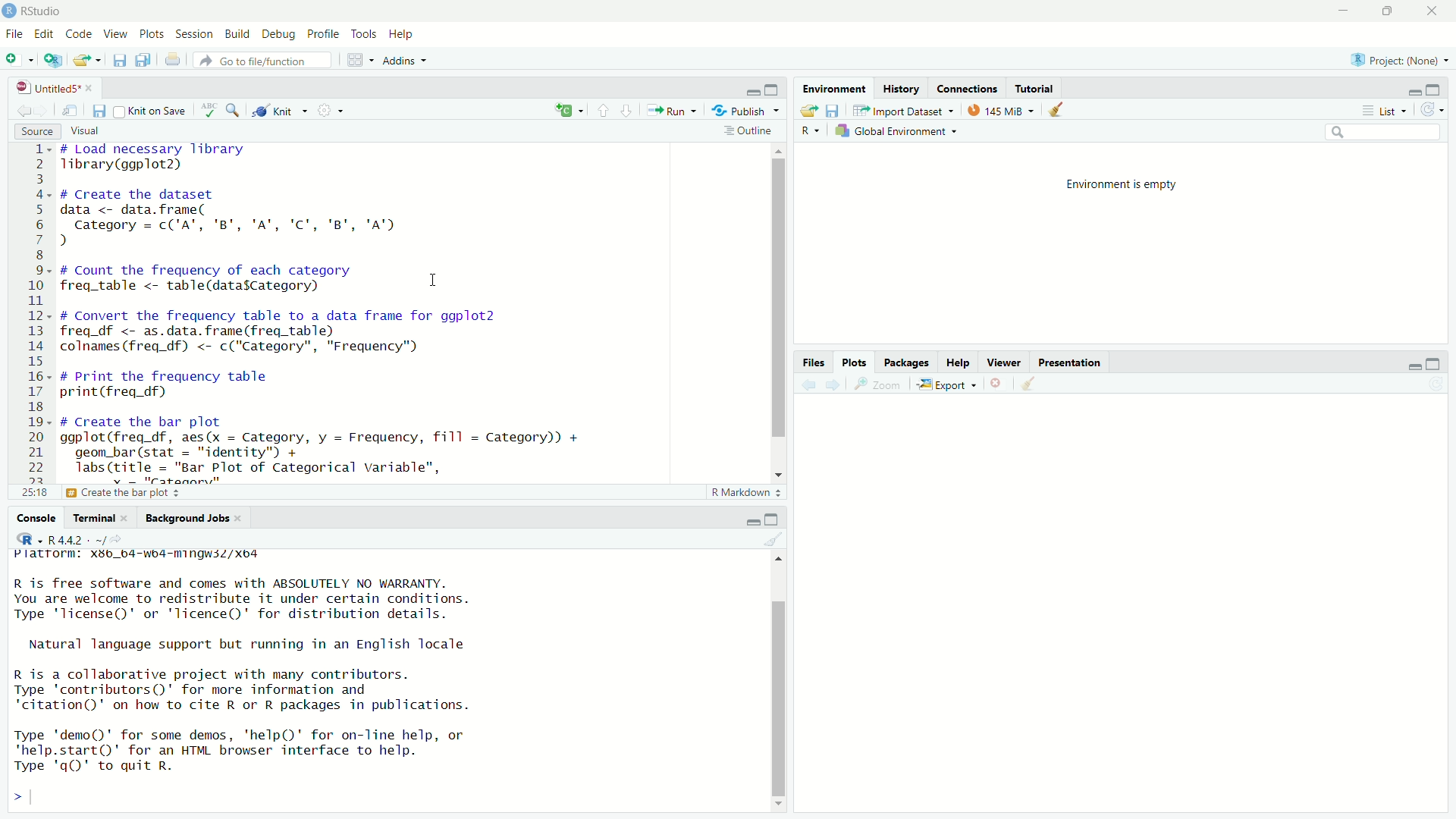 Image resolution: width=1456 pixels, height=819 pixels. I want to click on untitled5, so click(60, 88).